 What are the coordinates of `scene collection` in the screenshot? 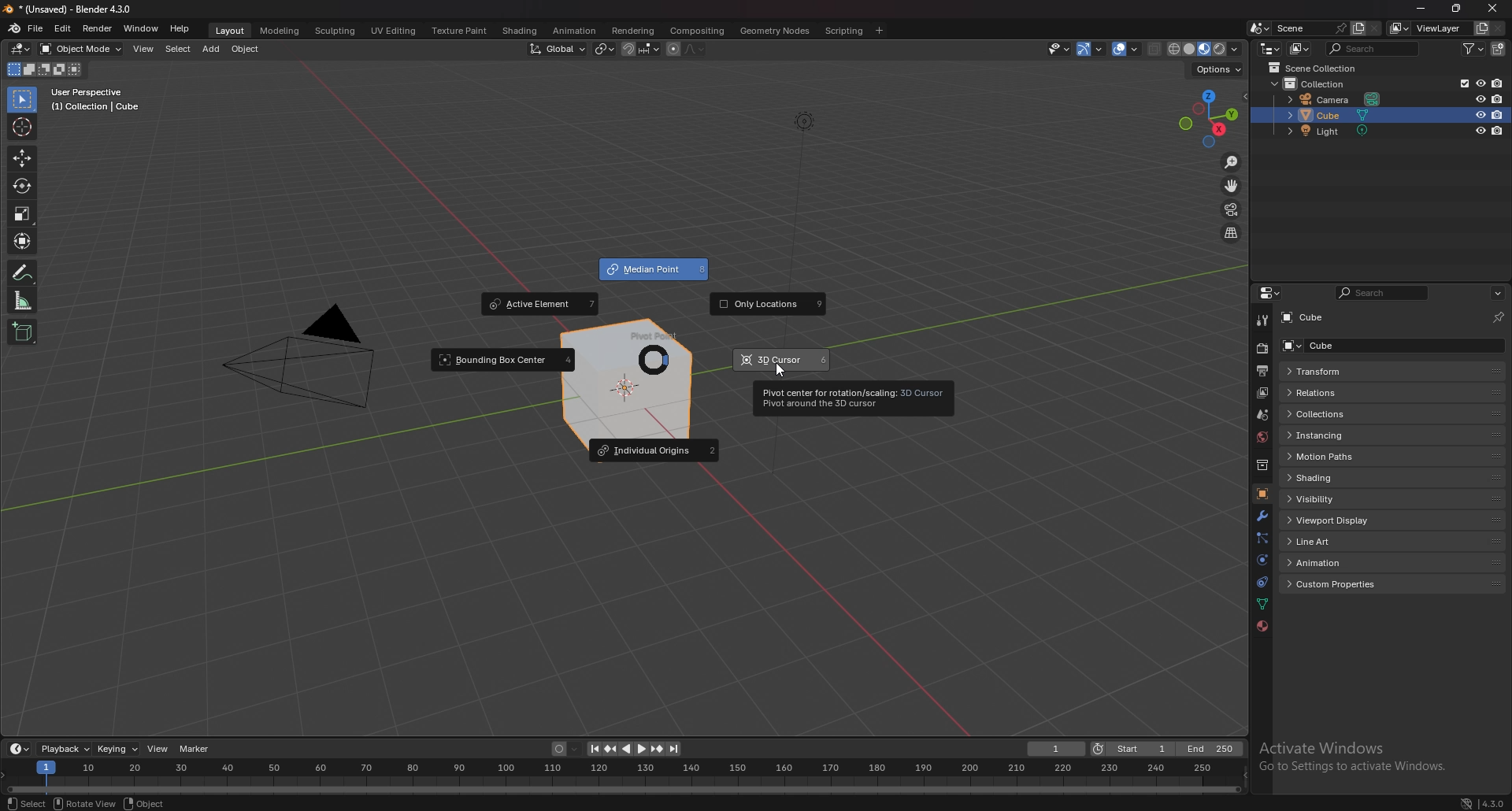 It's located at (1314, 68).